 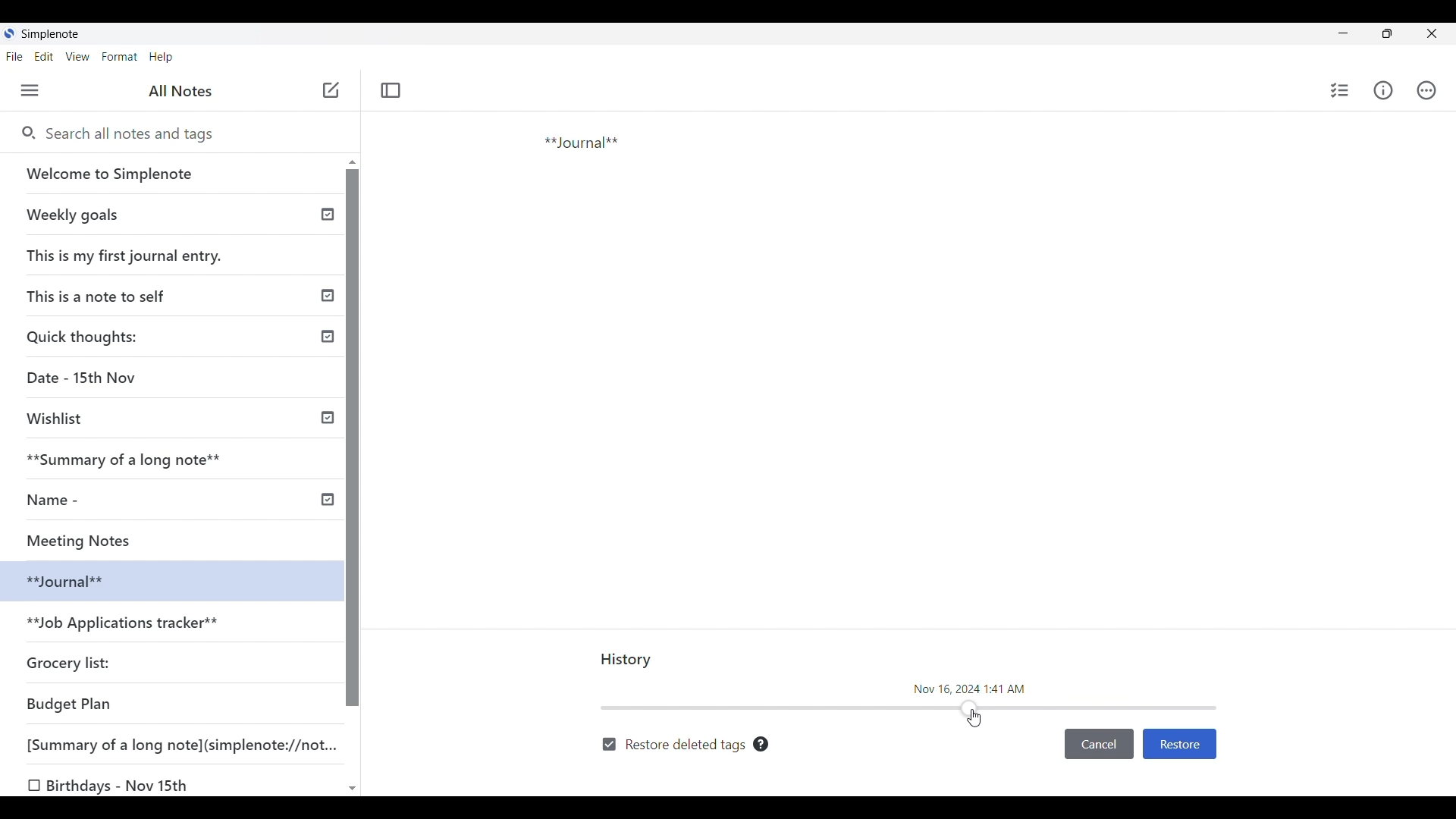 What do you see at coordinates (9, 33) in the screenshot?
I see `Software logo` at bounding box center [9, 33].